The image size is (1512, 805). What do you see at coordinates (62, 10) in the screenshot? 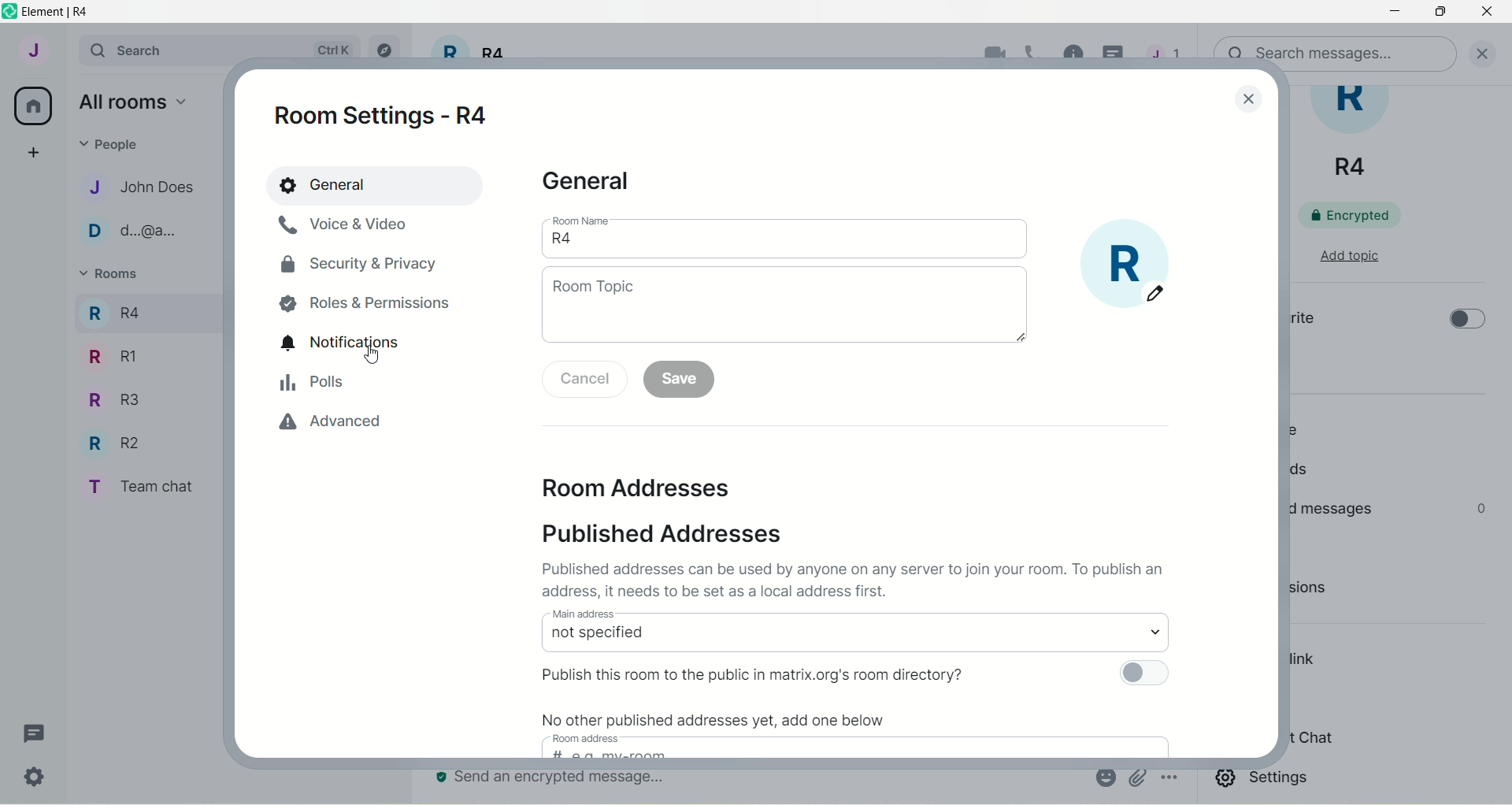
I see `element` at bounding box center [62, 10].